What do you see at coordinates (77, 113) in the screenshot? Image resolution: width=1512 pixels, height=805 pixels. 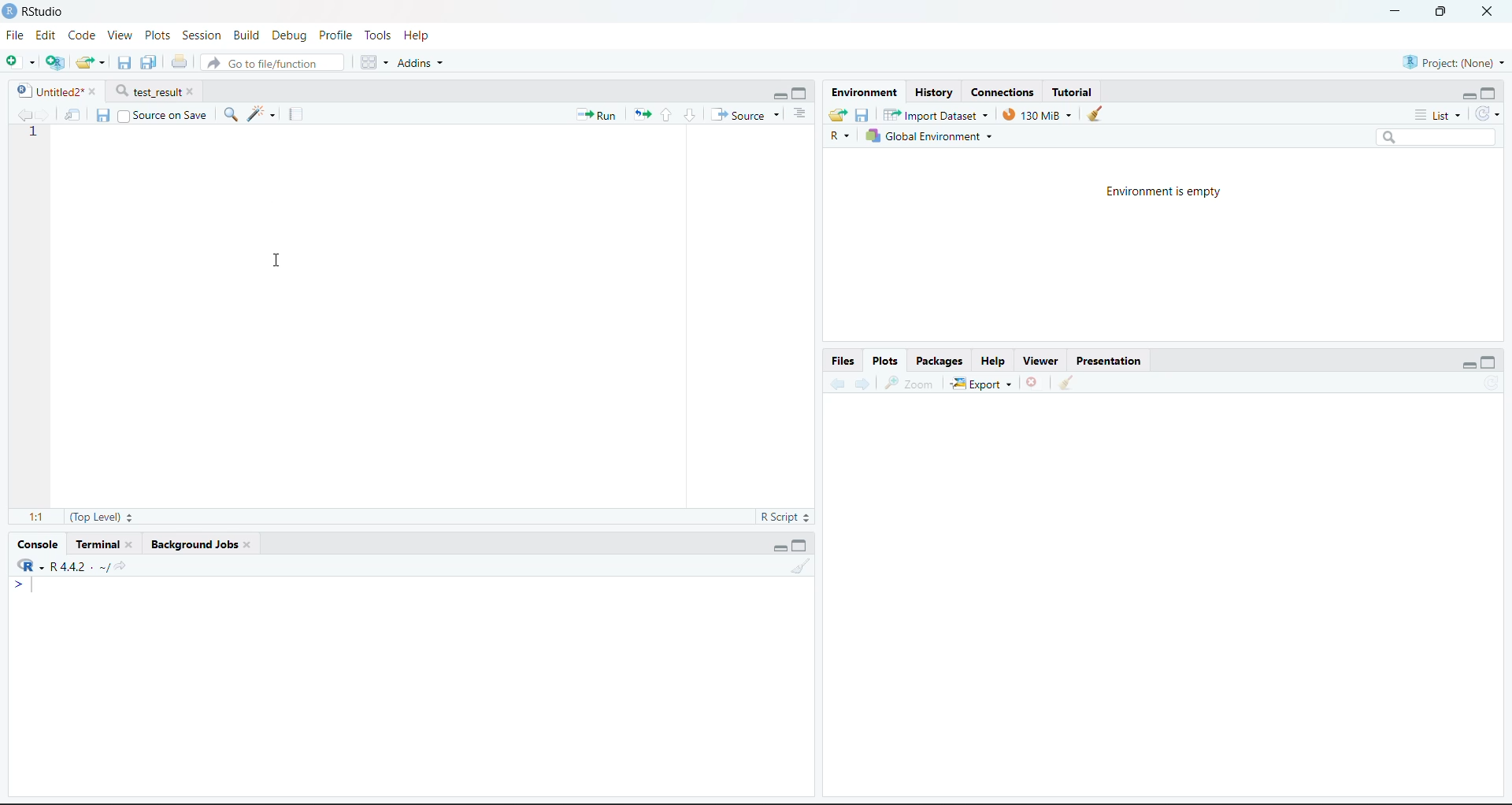 I see `Show in new window` at bounding box center [77, 113].